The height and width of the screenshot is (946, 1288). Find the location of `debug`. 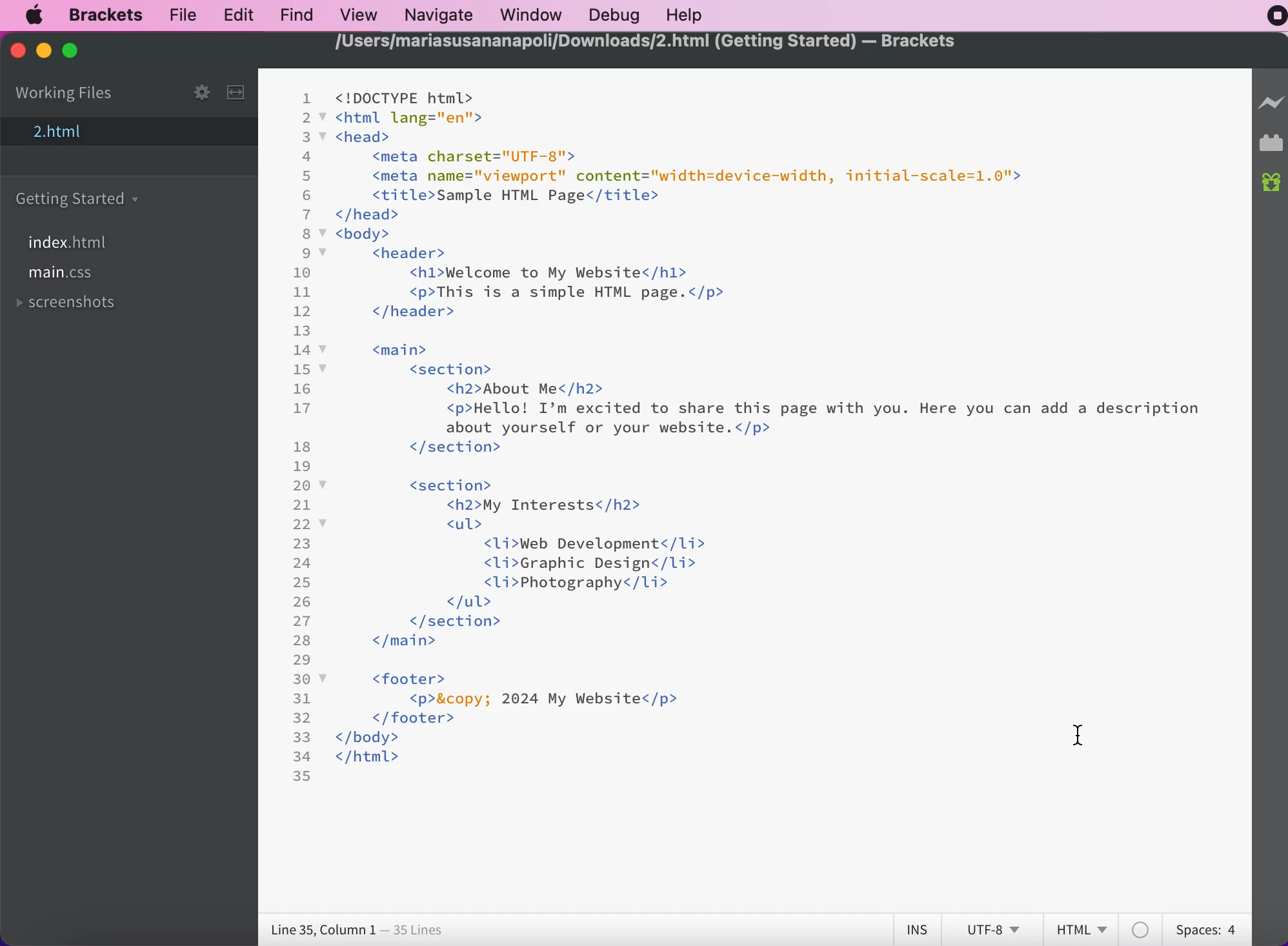

debug is located at coordinates (621, 15).